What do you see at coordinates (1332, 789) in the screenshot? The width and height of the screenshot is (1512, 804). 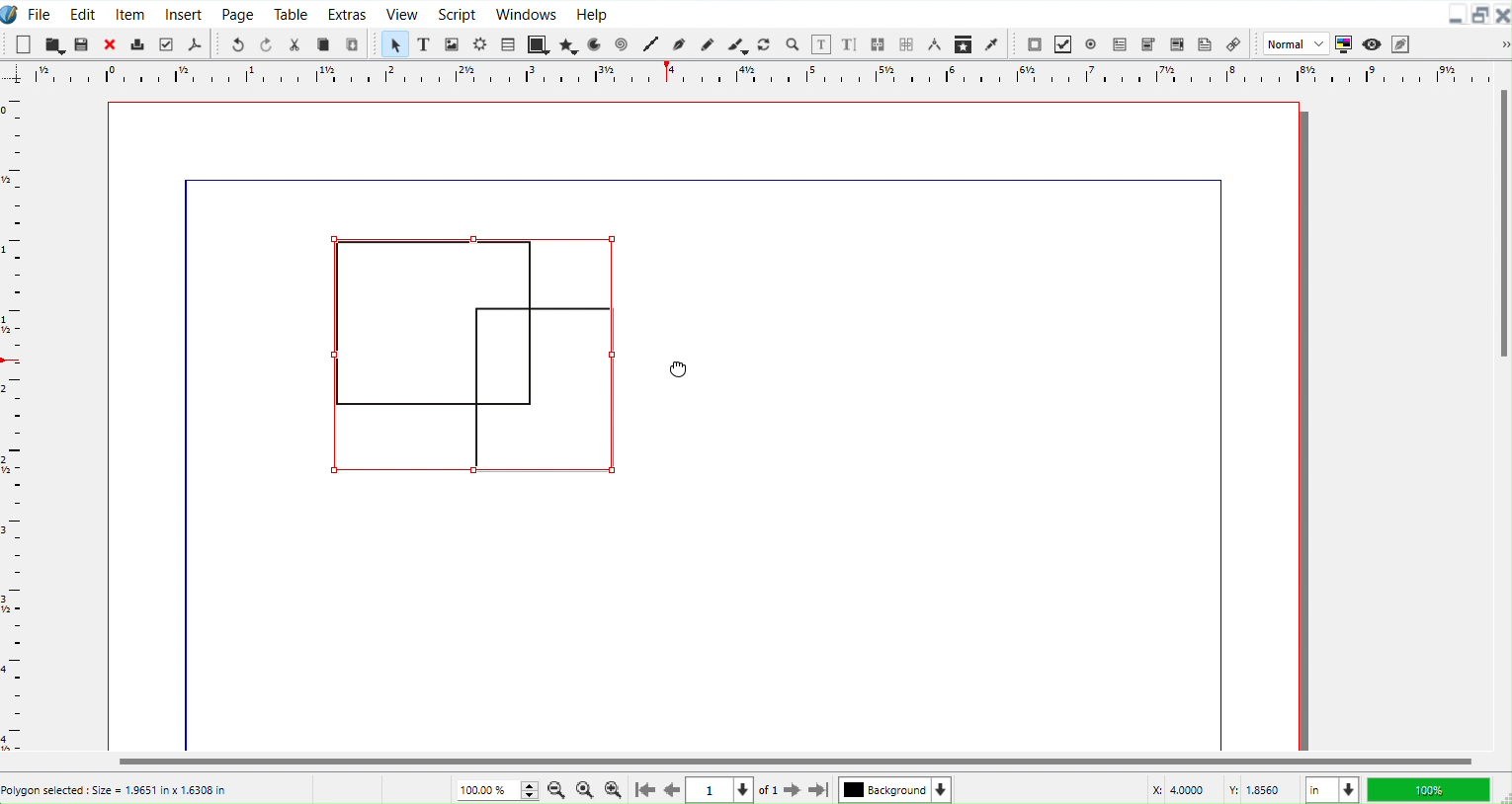 I see `Measurement in Inches ` at bounding box center [1332, 789].